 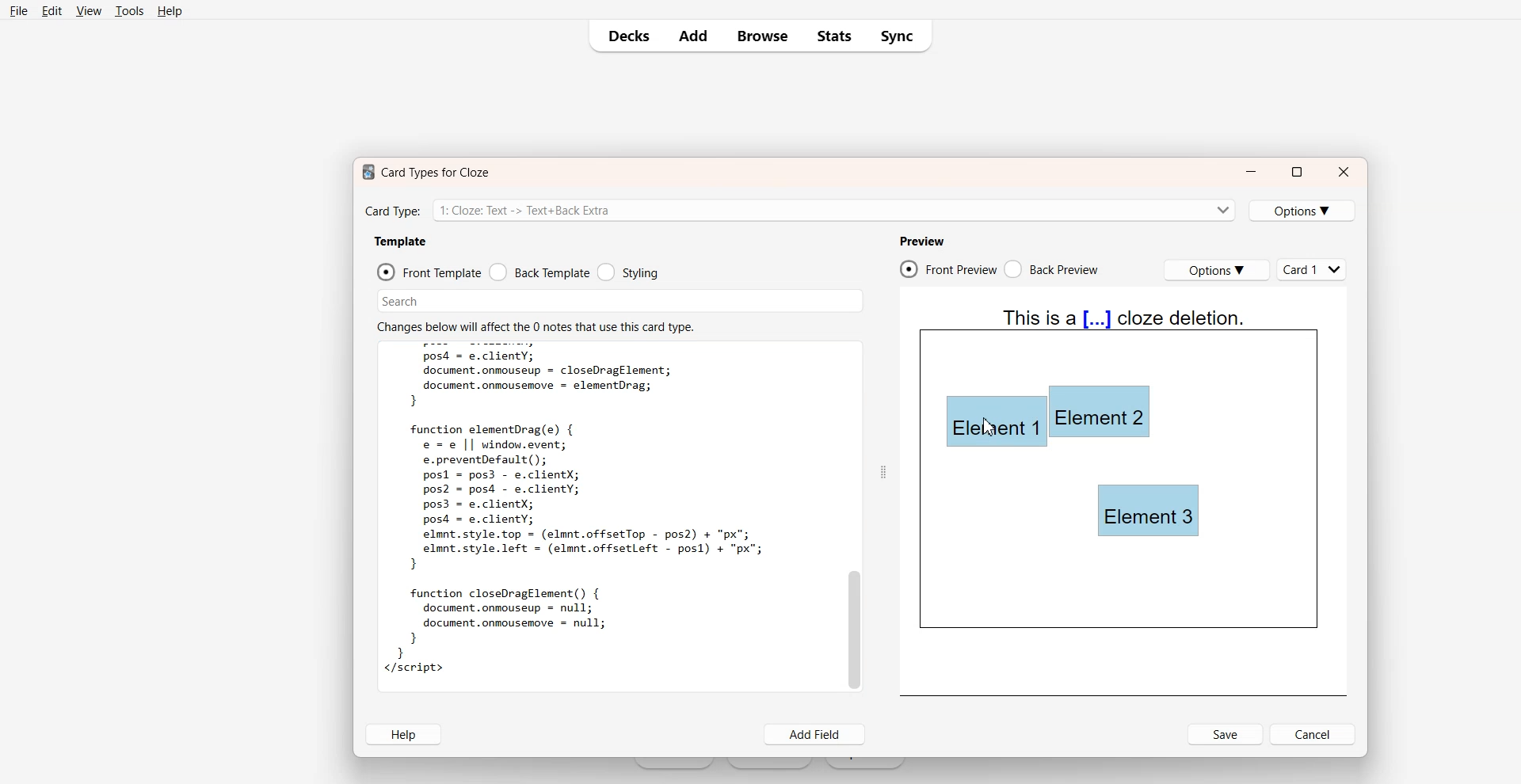 I want to click on Save, so click(x=1226, y=734).